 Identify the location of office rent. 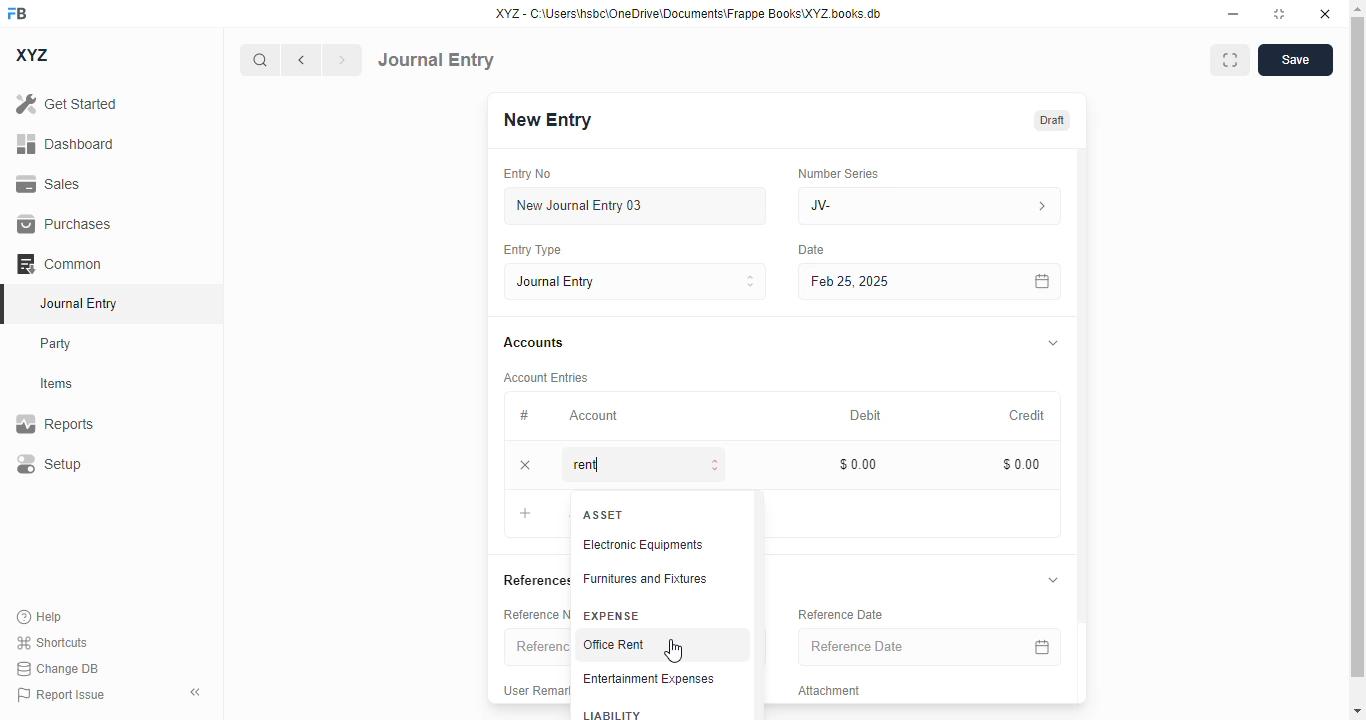
(614, 645).